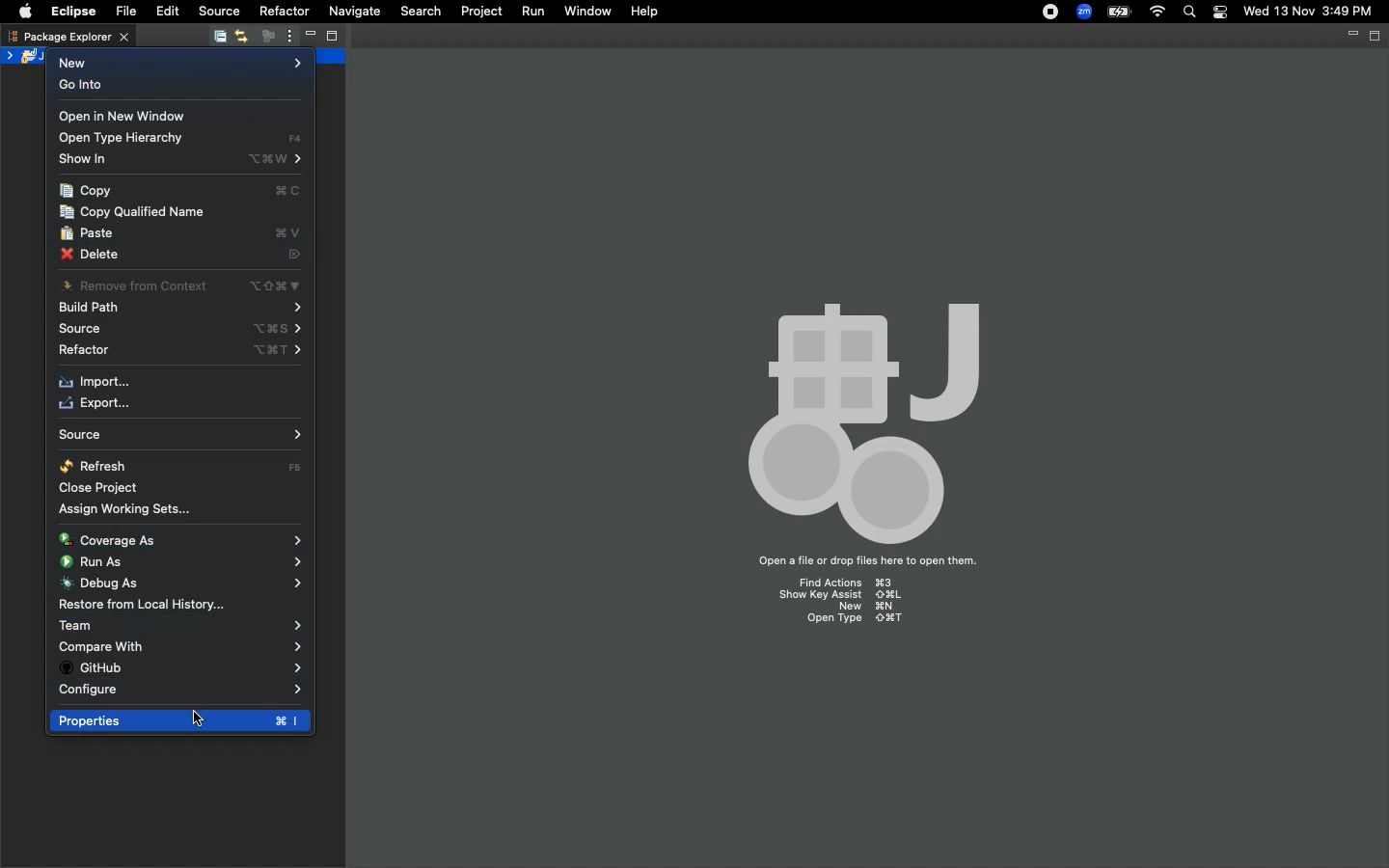  Describe the element at coordinates (1085, 12) in the screenshot. I see `Zoom` at that location.